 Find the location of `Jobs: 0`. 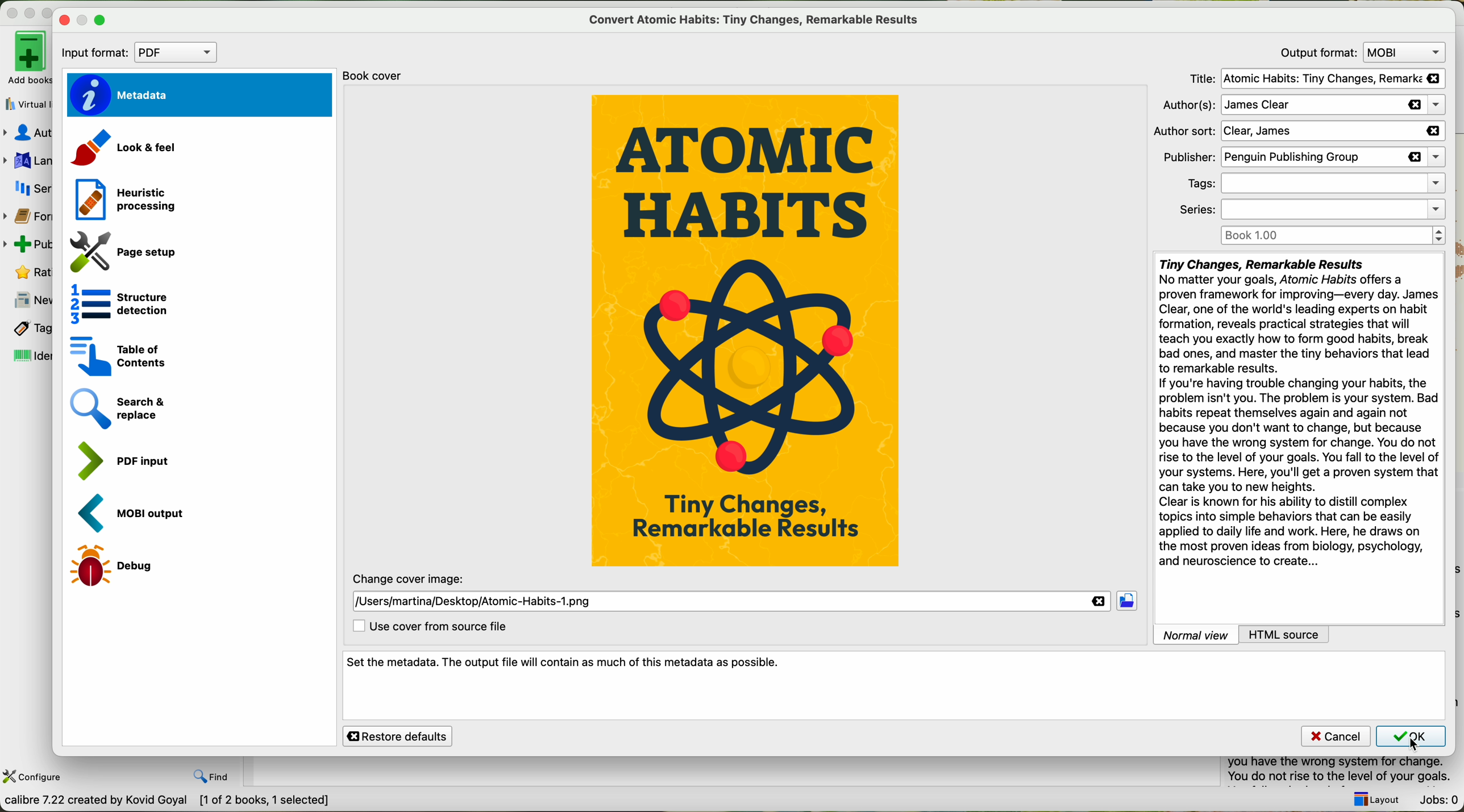

Jobs: 0 is located at coordinates (1438, 801).